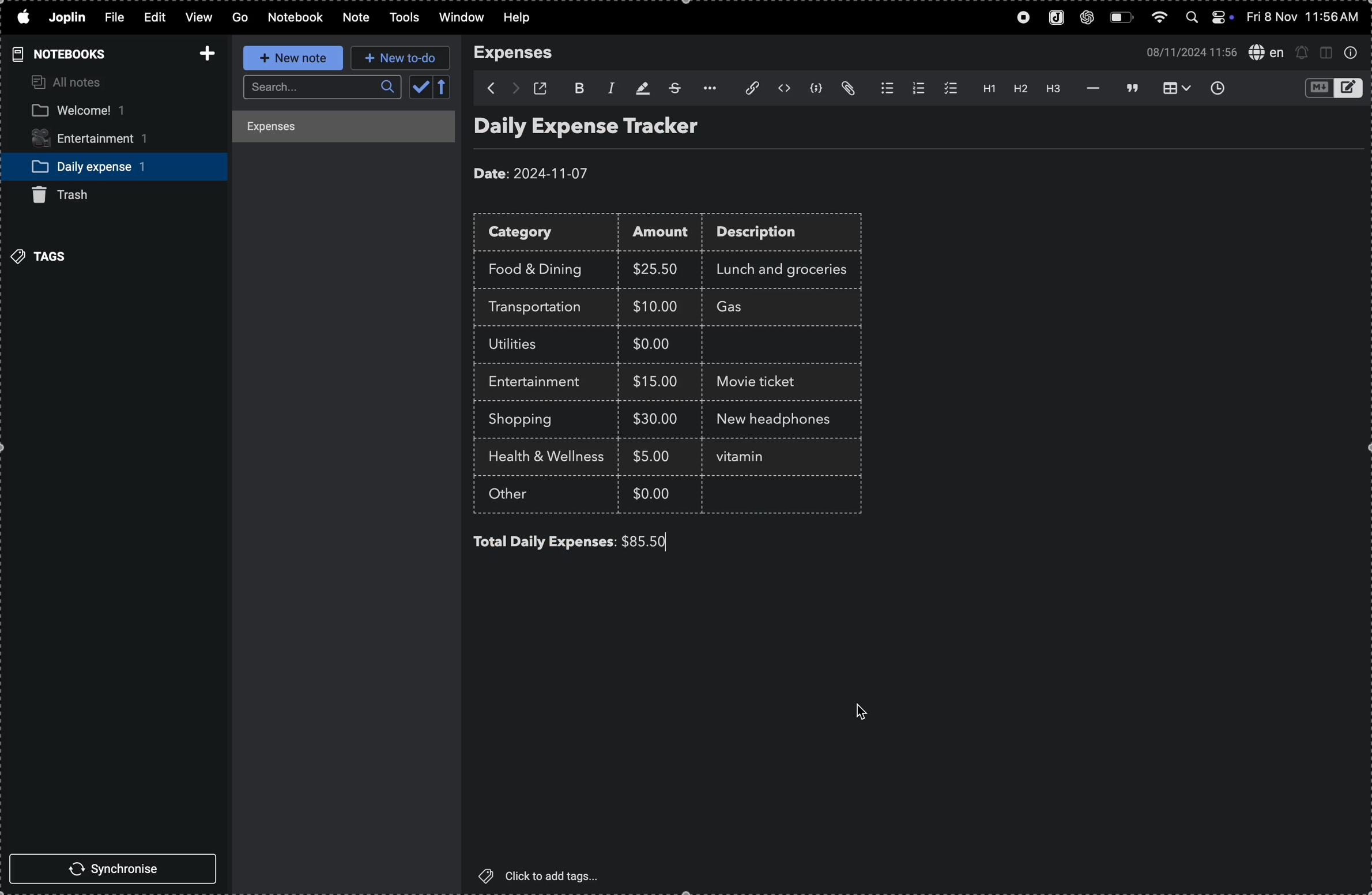 The image size is (1372, 895). What do you see at coordinates (289, 58) in the screenshot?
I see `new note` at bounding box center [289, 58].